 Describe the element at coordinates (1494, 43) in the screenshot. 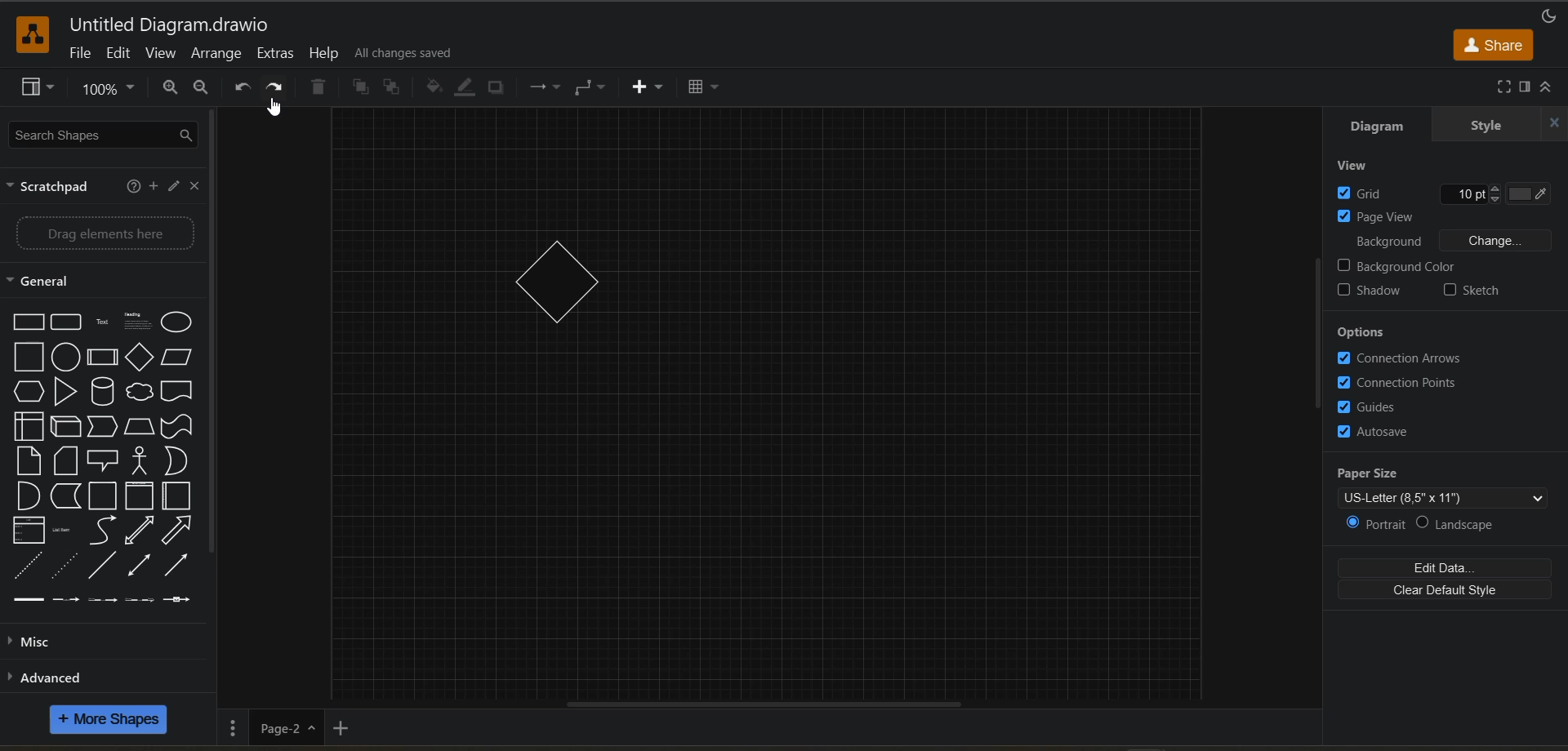

I see `share` at that location.